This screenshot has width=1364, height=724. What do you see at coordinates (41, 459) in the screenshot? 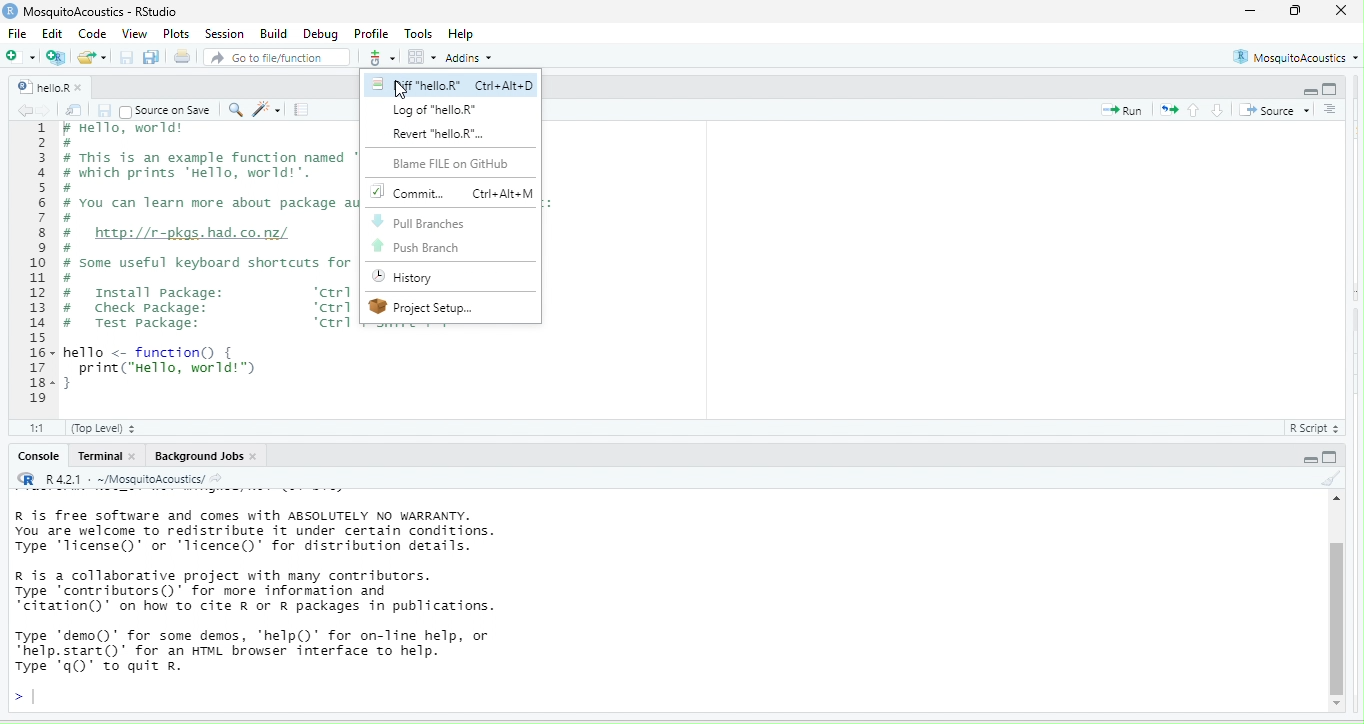
I see `Console` at bounding box center [41, 459].